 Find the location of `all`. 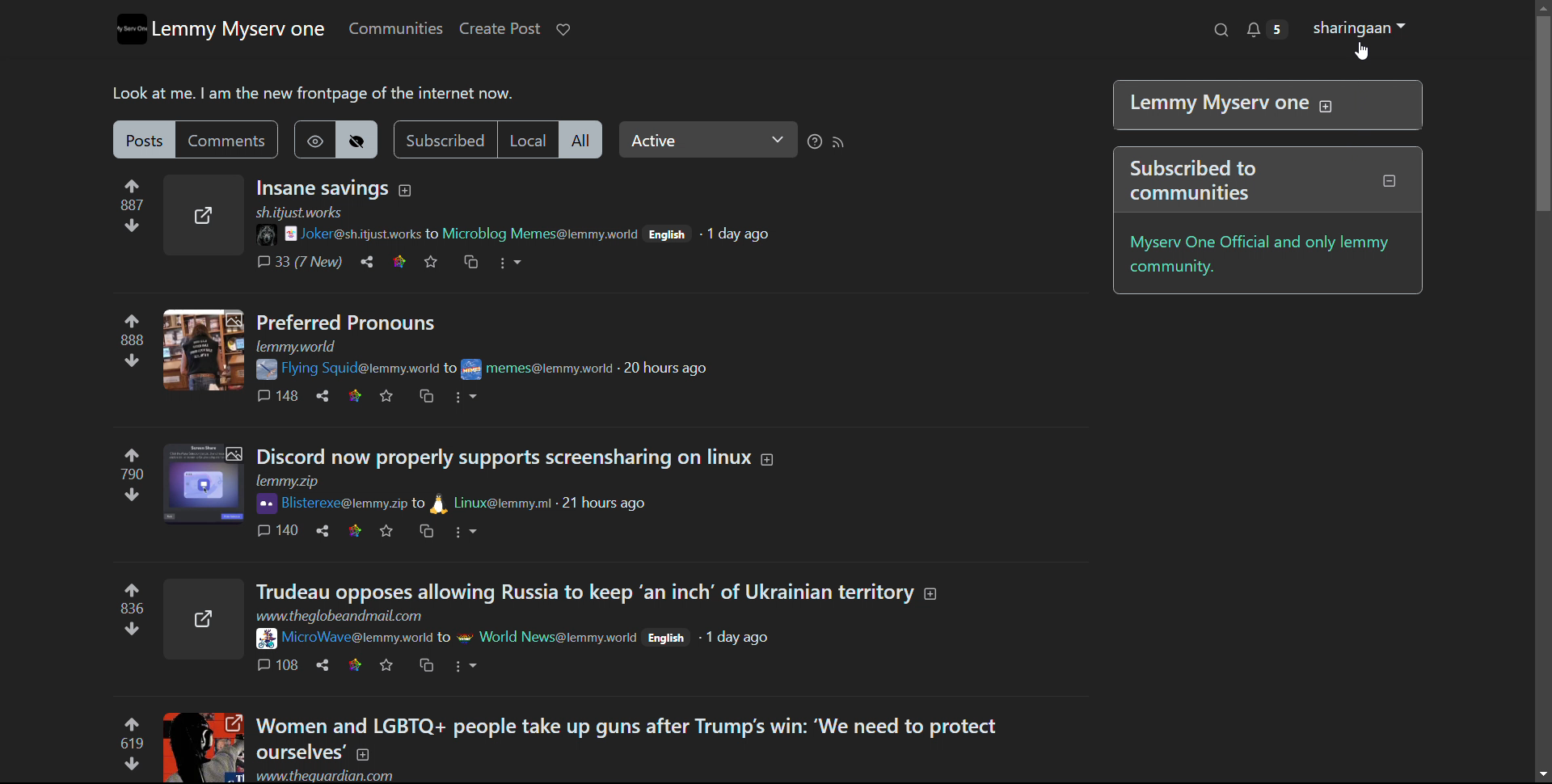

all is located at coordinates (581, 140).